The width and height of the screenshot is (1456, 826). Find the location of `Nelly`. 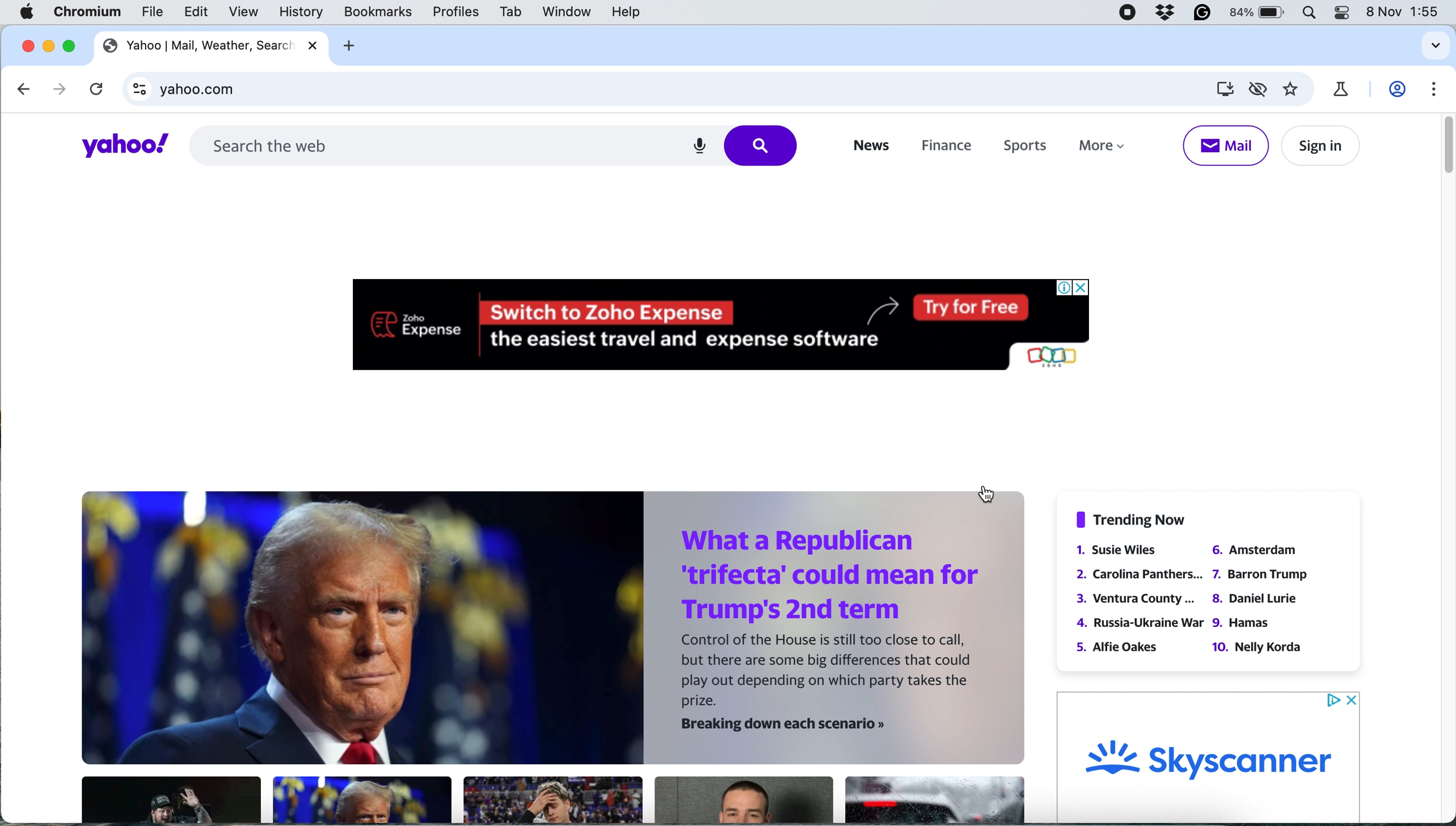

Nelly is located at coordinates (1258, 646).